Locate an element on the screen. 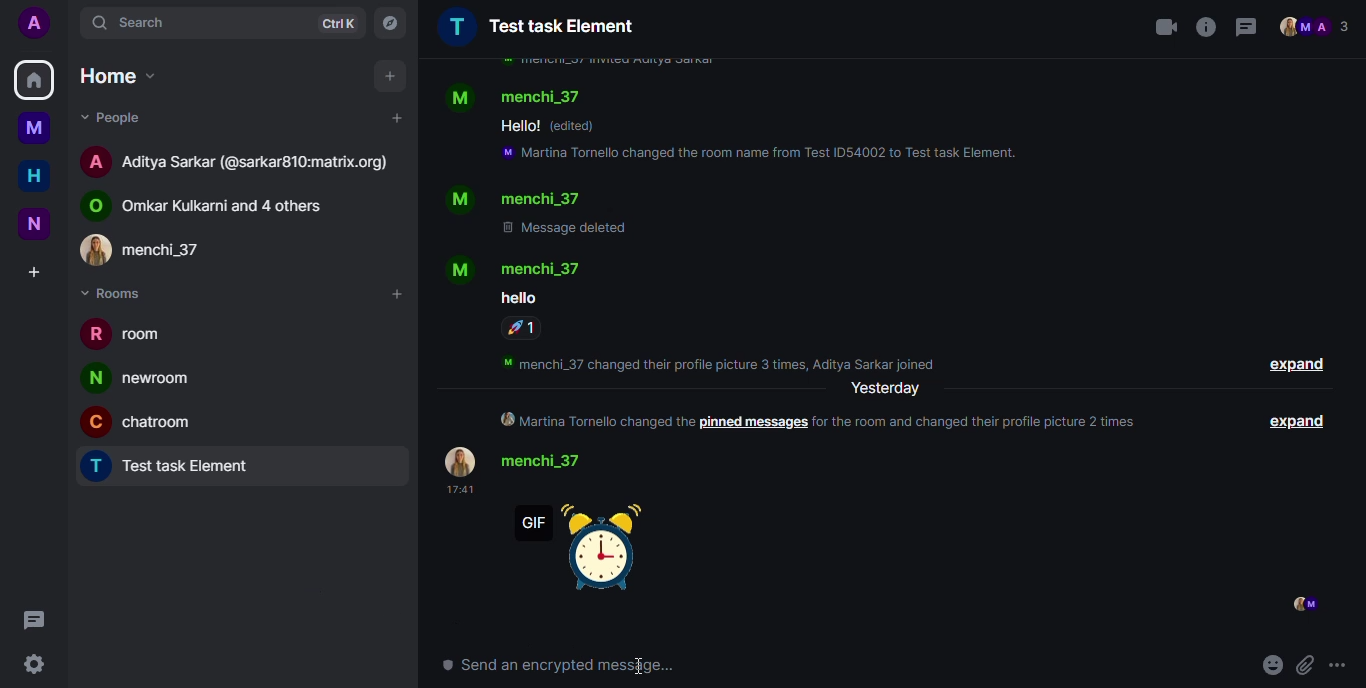 The image size is (1366, 688). add is located at coordinates (395, 118).